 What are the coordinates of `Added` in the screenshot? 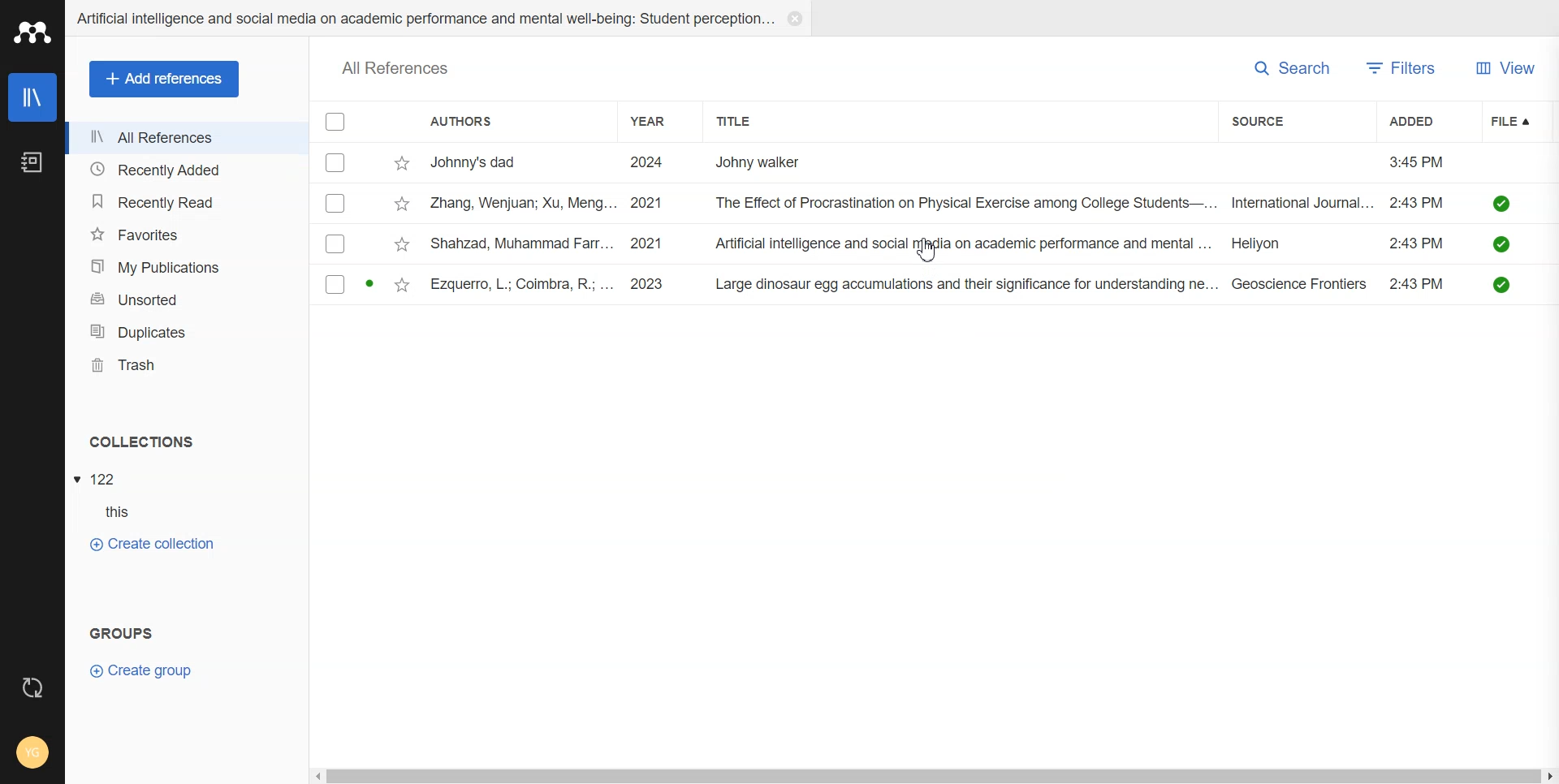 It's located at (1428, 120).